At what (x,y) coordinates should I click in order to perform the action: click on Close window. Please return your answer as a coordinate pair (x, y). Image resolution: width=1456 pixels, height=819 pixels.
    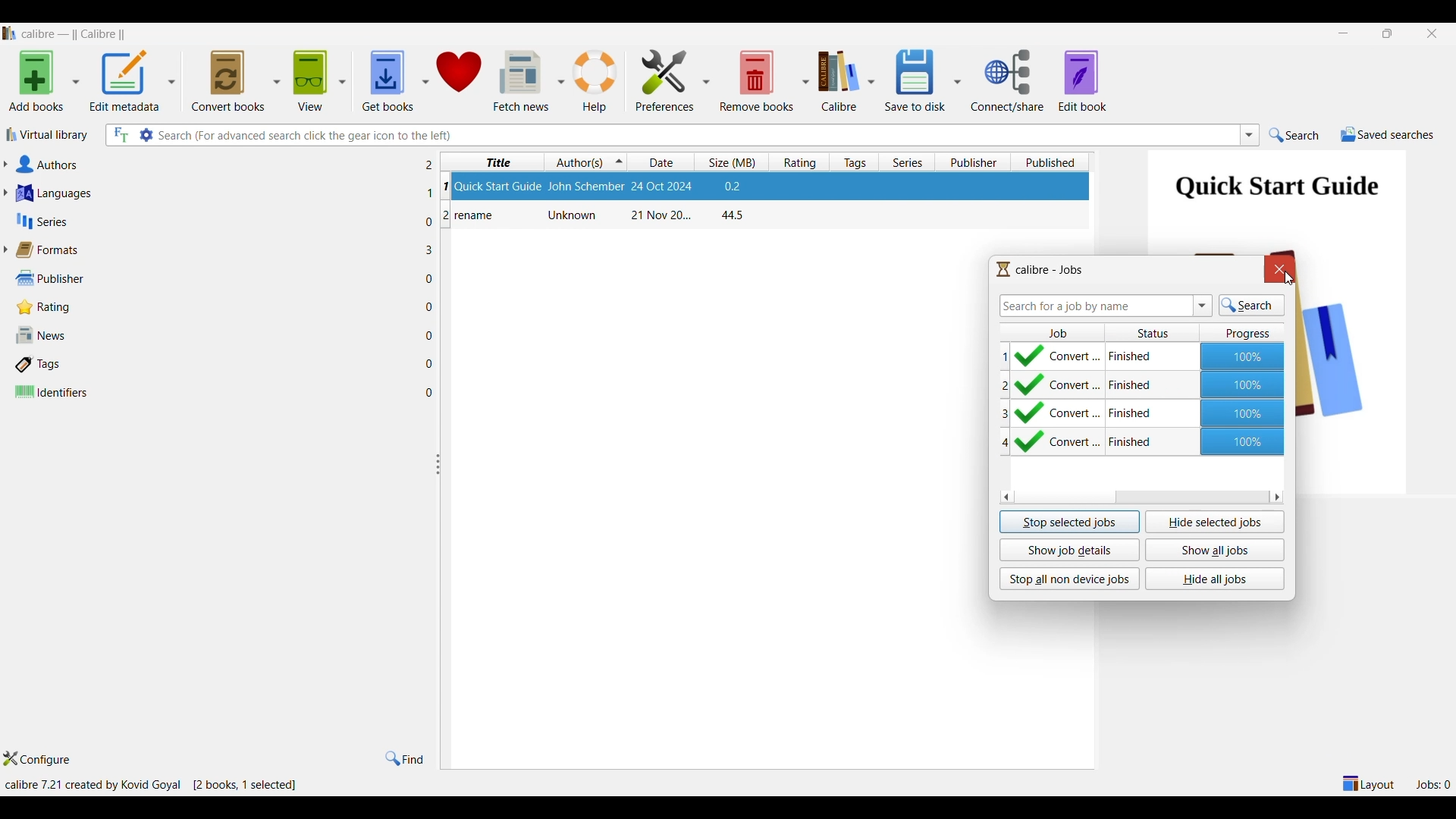
    Looking at the image, I should click on (1279, 269).